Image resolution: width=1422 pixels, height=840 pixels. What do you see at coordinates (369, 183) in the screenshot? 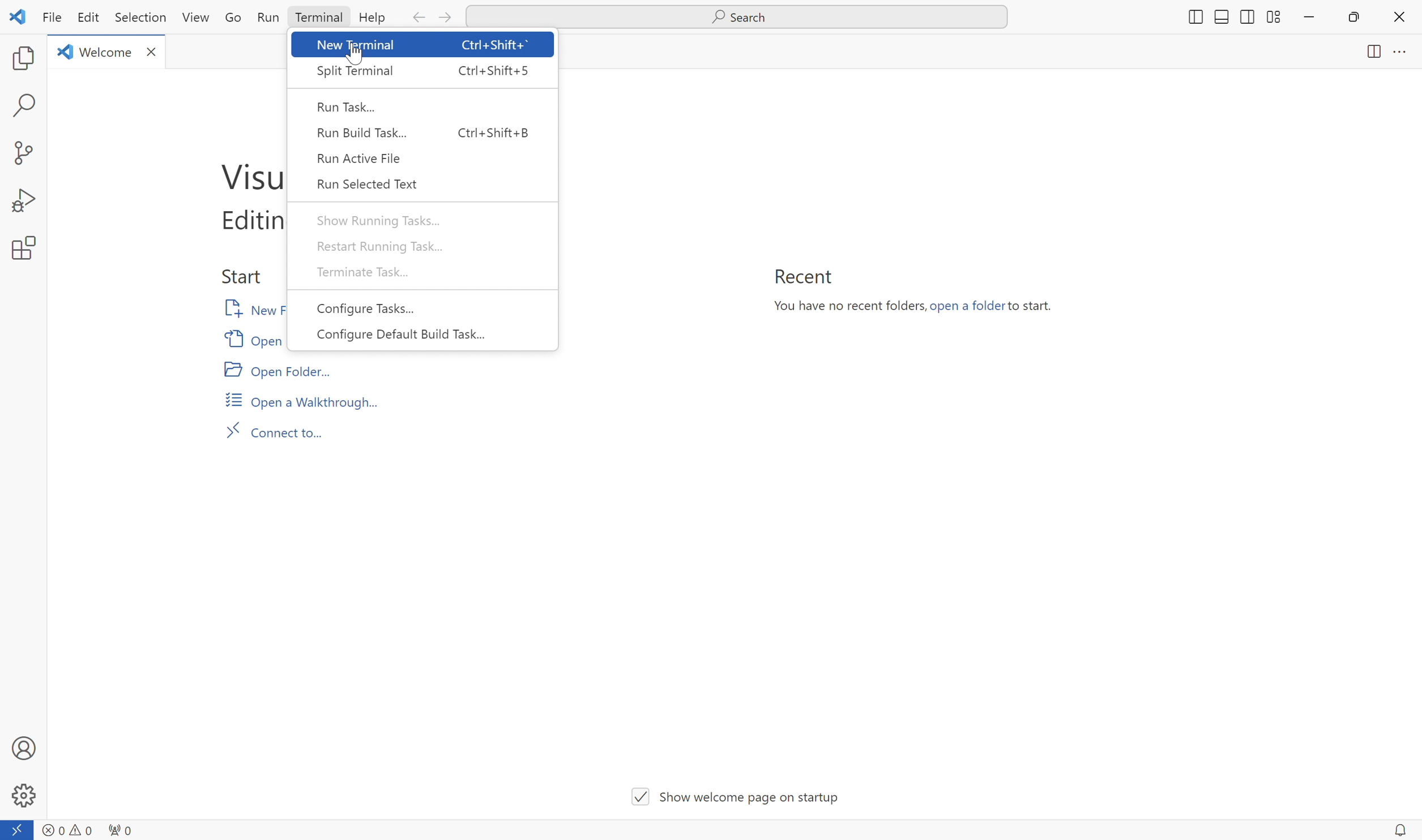
I see `Run Selected Text` at bounding box center [369, 183].